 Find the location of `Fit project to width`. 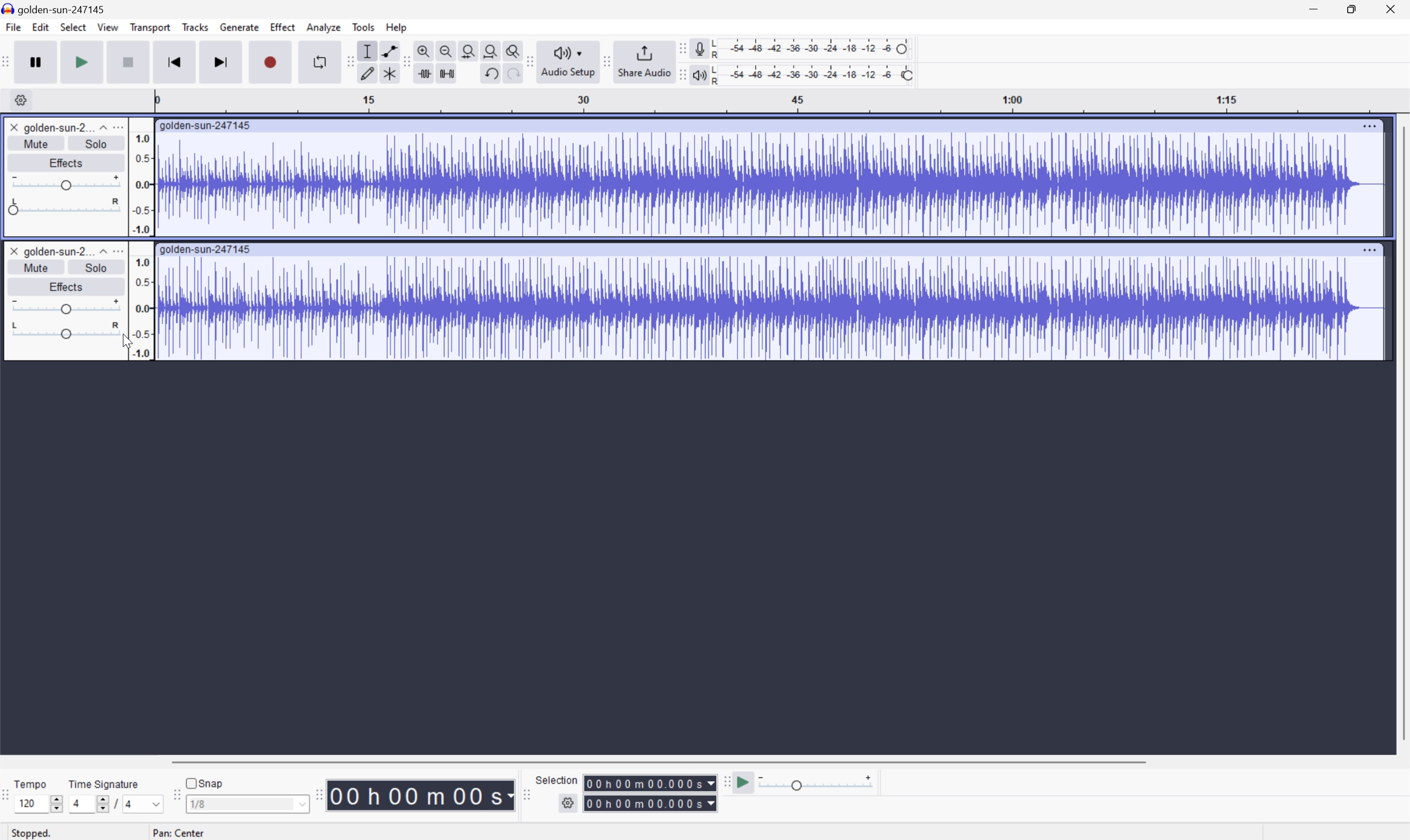

Fit project to width is located at coordinates (488, 49).